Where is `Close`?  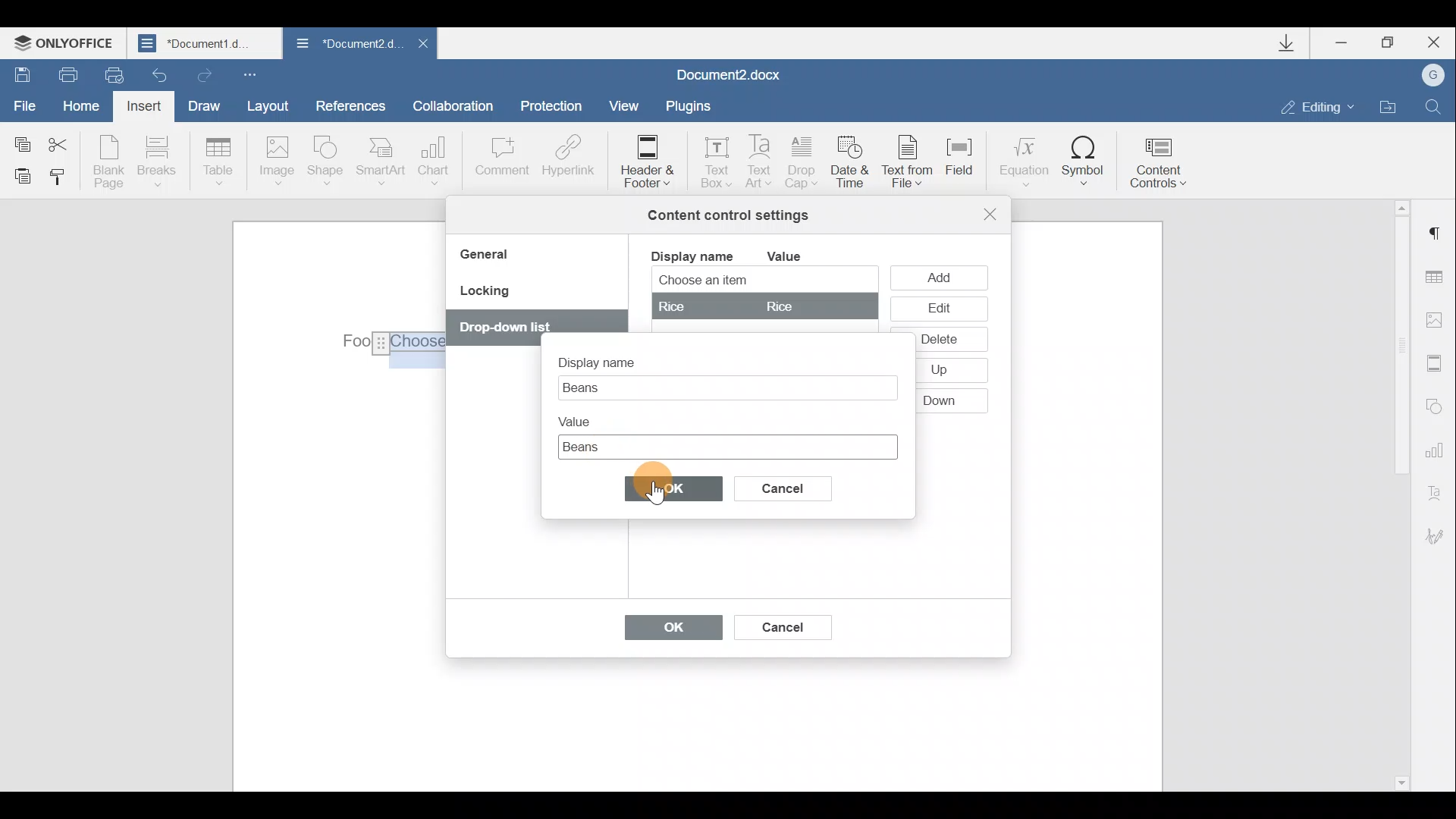 Close is located at coordinates (1432, 42).